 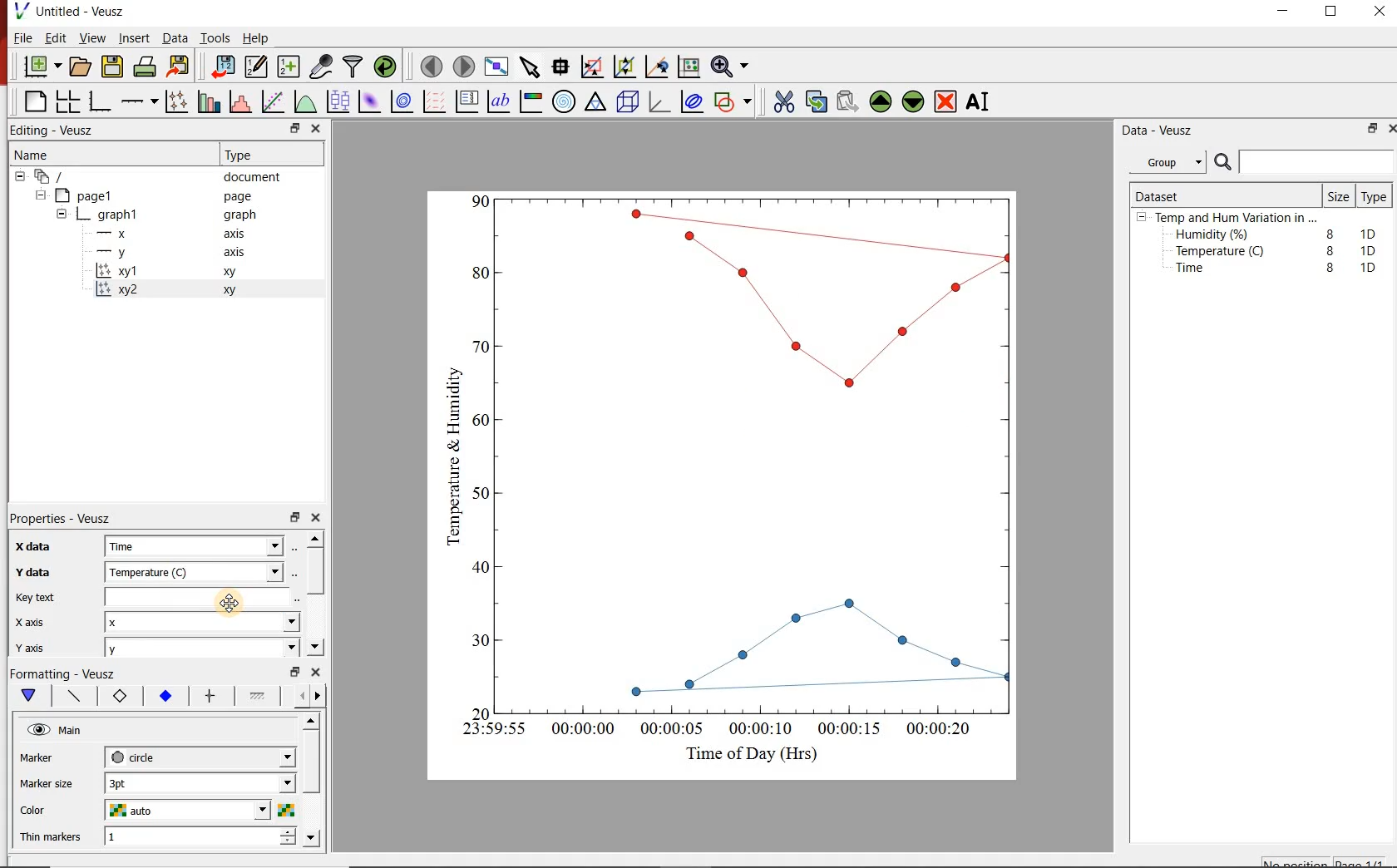 I want to click on move to the next page, so click(x=463, y=66).